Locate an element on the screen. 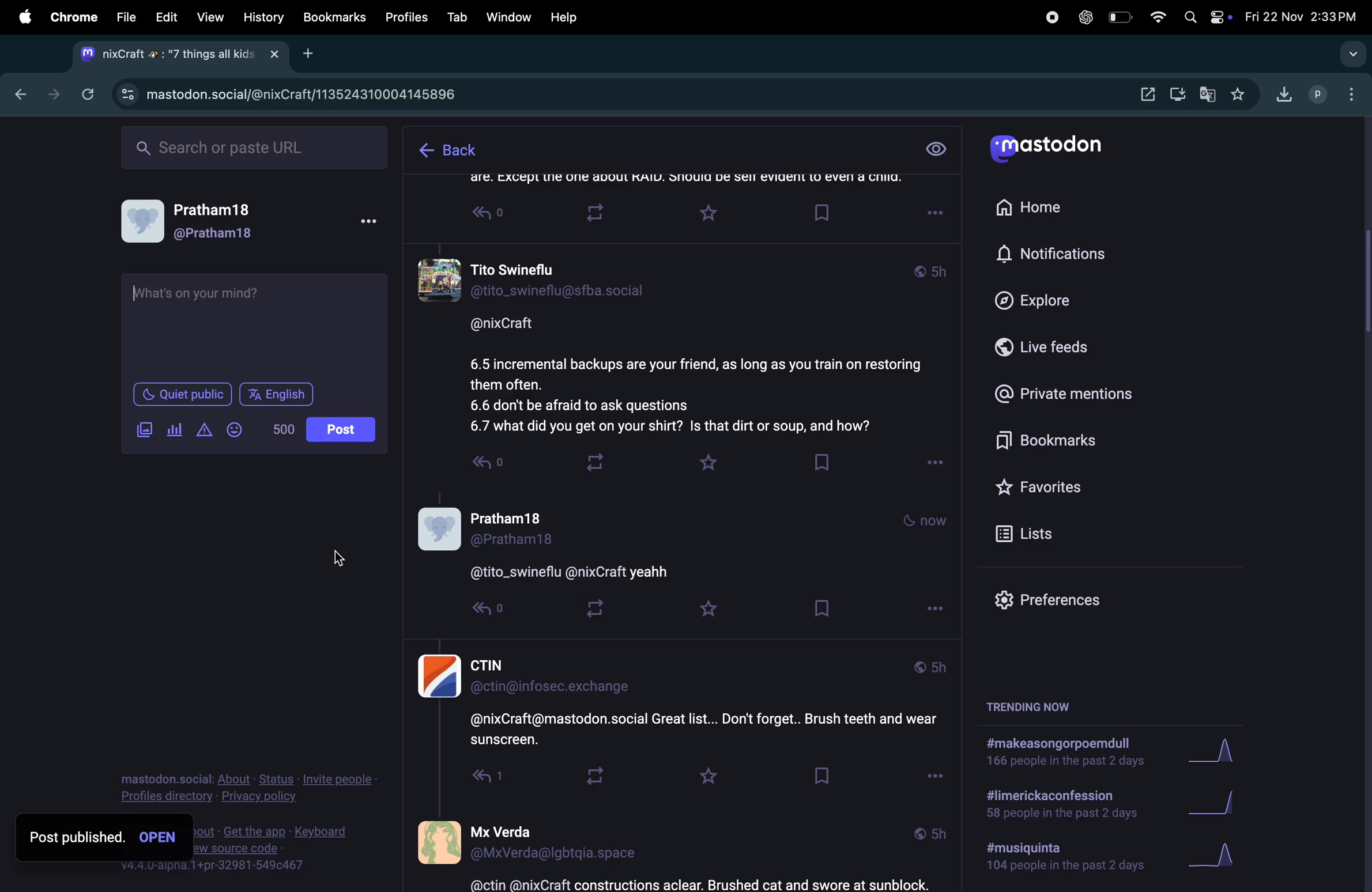 Image resolution: width=1372 pixels, height=892 pixels. Bookmark is located at coordinates (823, 213).